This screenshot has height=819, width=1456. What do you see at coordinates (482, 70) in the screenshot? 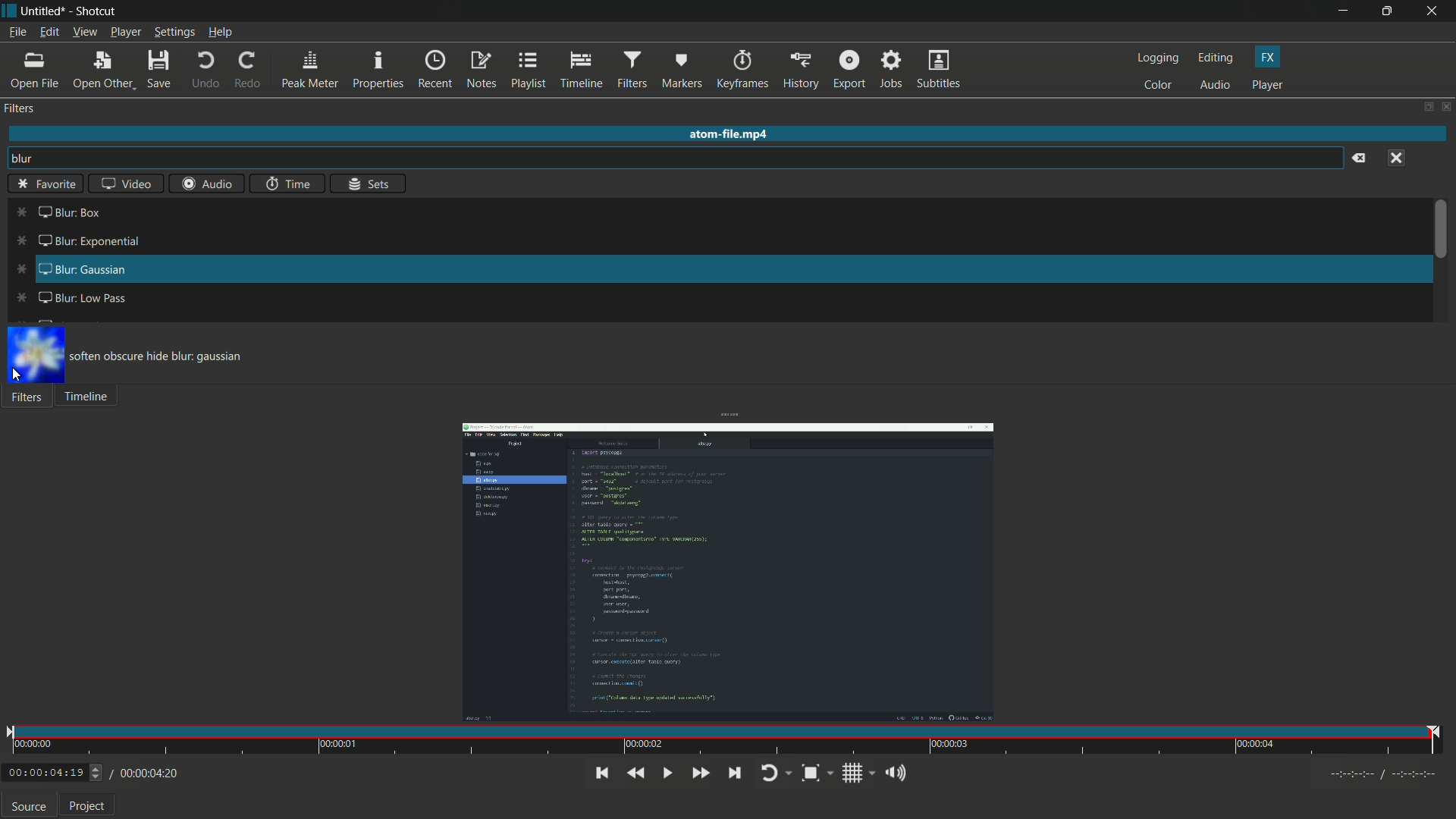
I see `notes` at bounding box center [482, 70].